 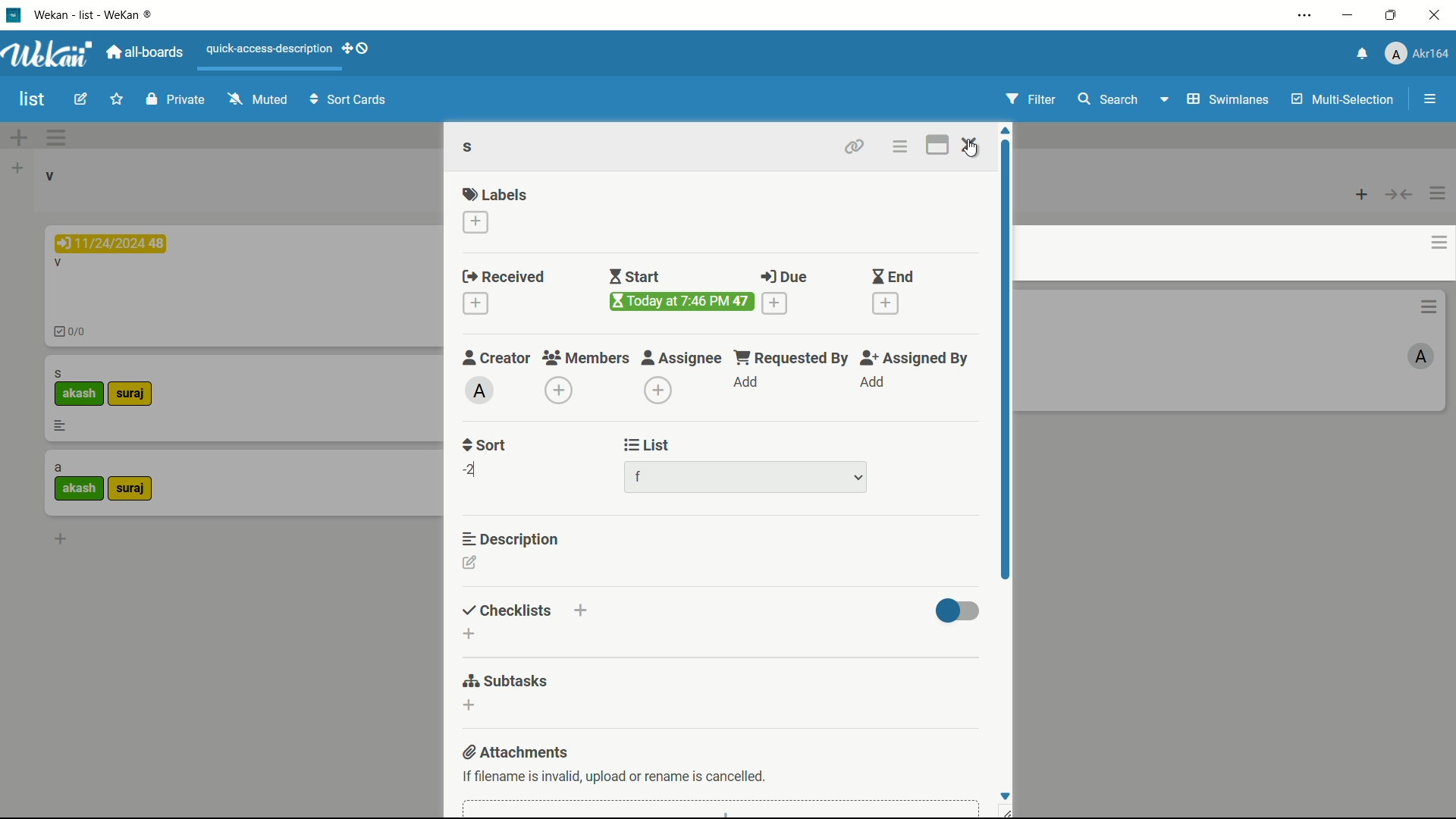 What do you see at coordinates (80, 394) in the screenshot?
I see `label-1` at bounding box center [80, 394].